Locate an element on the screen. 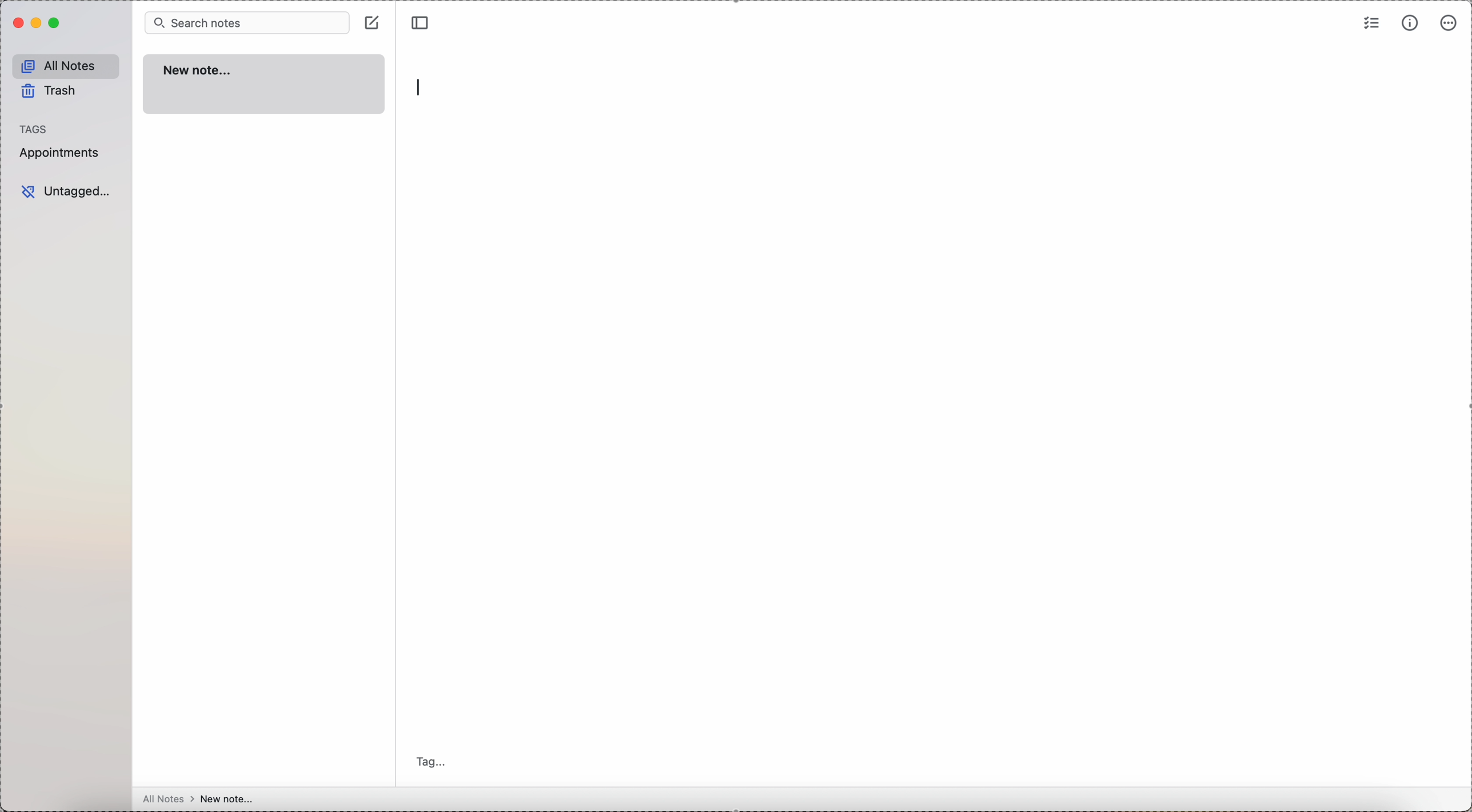 This screenshot has width=1472, height=812. tags is located at coordinates (34, 129).